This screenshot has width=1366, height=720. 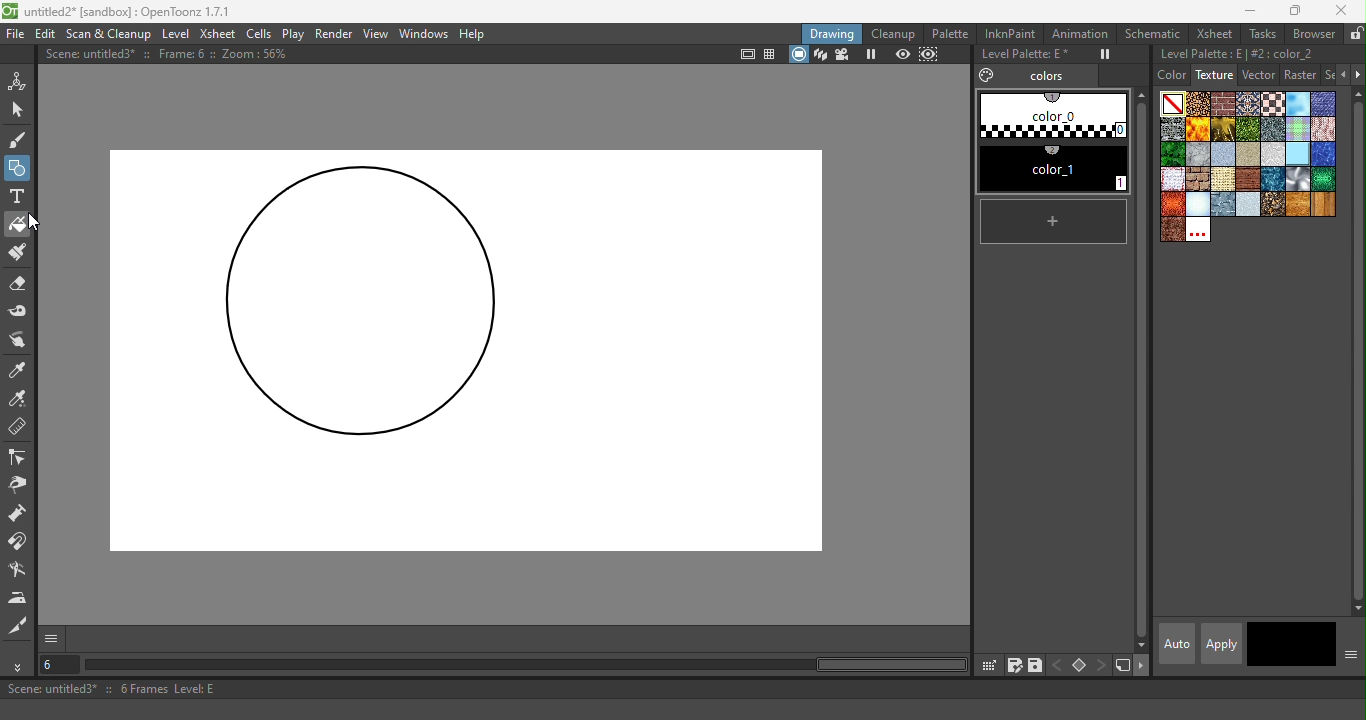 What do you see at coordinates (1291, 11) in the screenshot?
I see `Maximize` at bounding box center [1291, 11].